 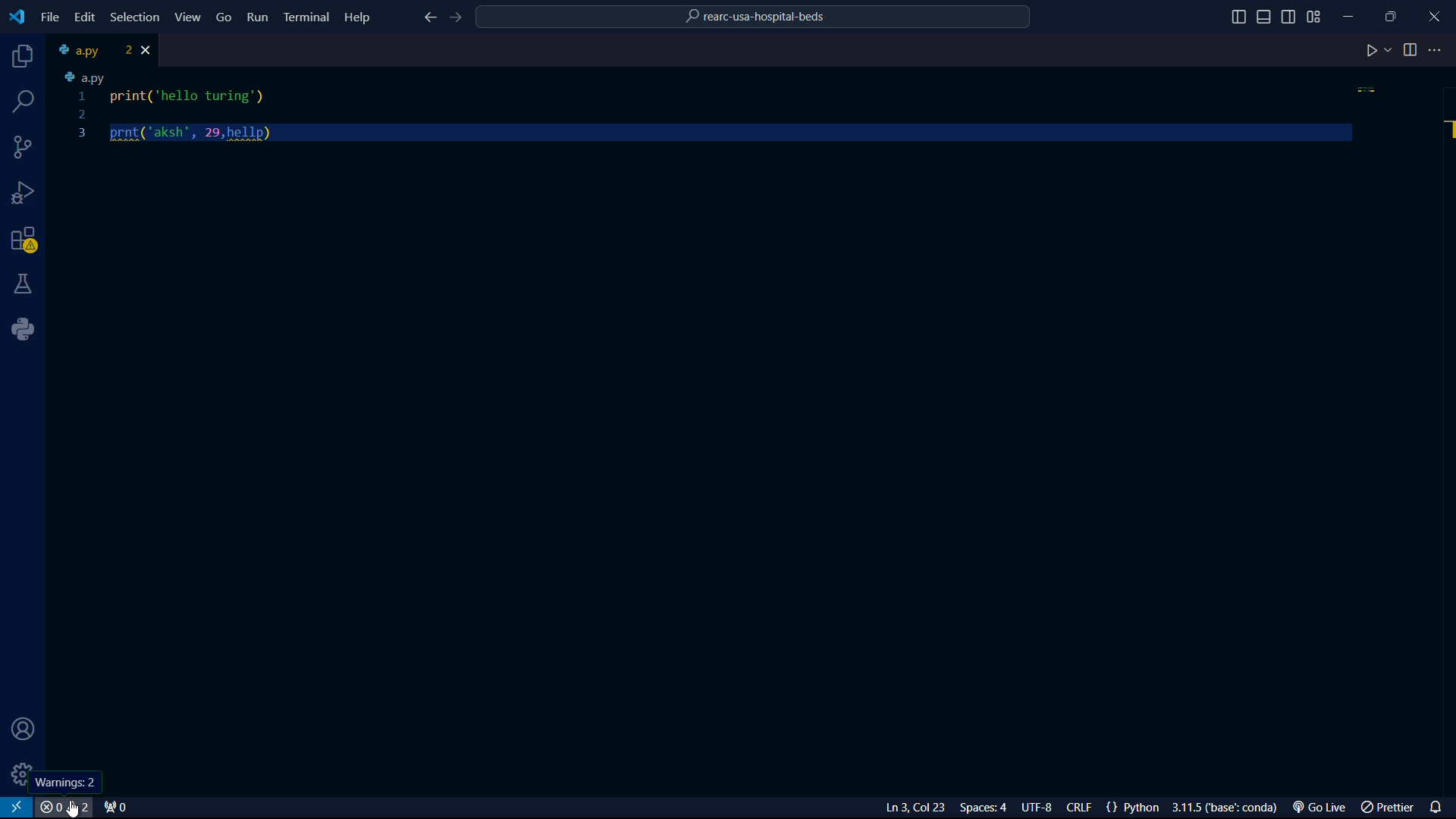 What do you see at coordinates (1437, 50) in the screenshot?
I see `more options` at bounding box center [1437, 50].